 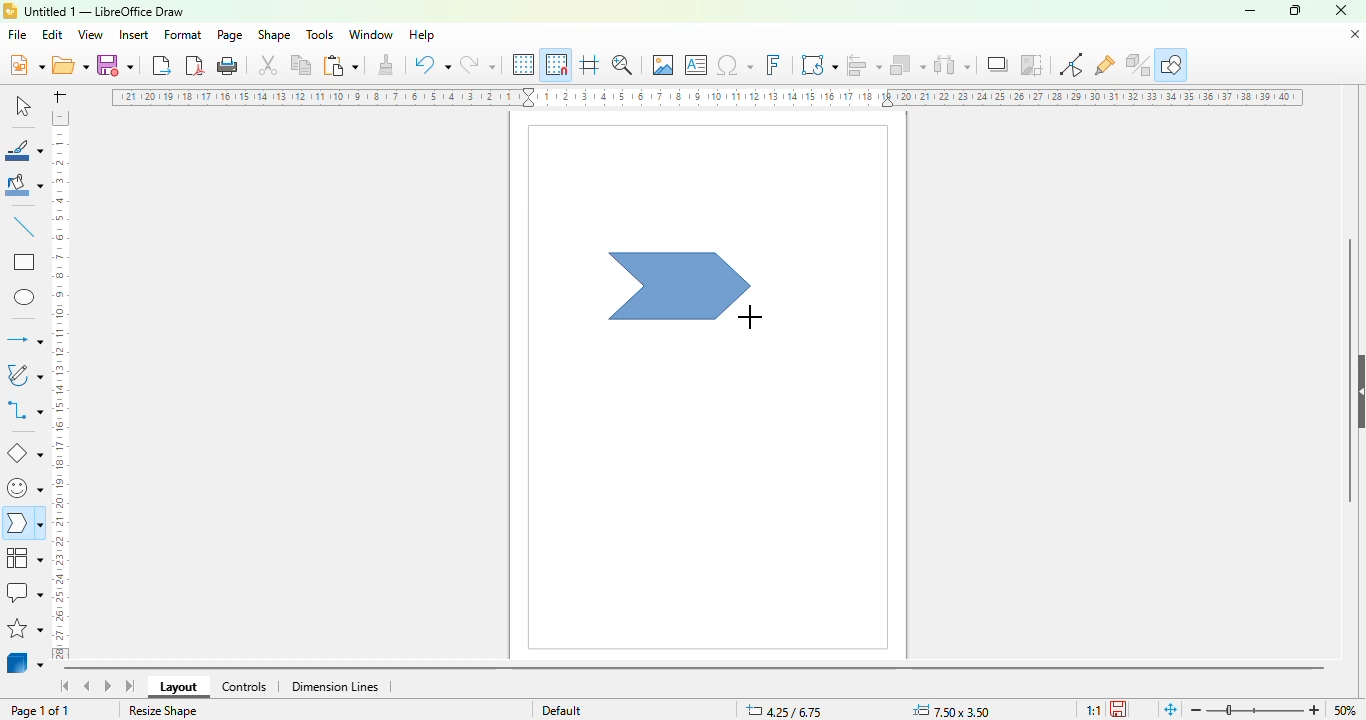 What do you see at coordinates (24, 592) in the screenshot?
I see `calllout shapes` at bounding box center [24, 592].